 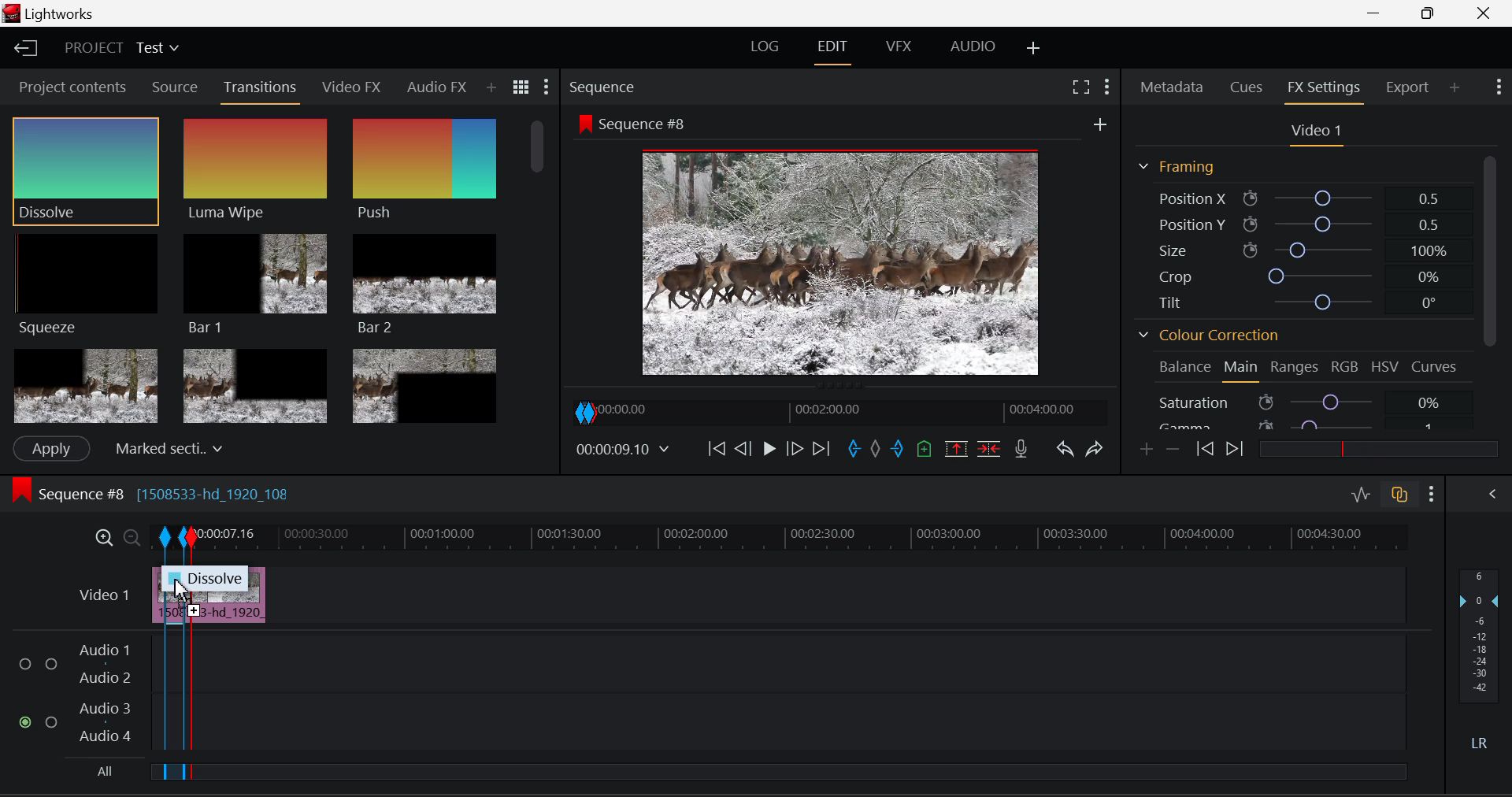 I want to click on LOG Layout, so click(x=765, y=50).